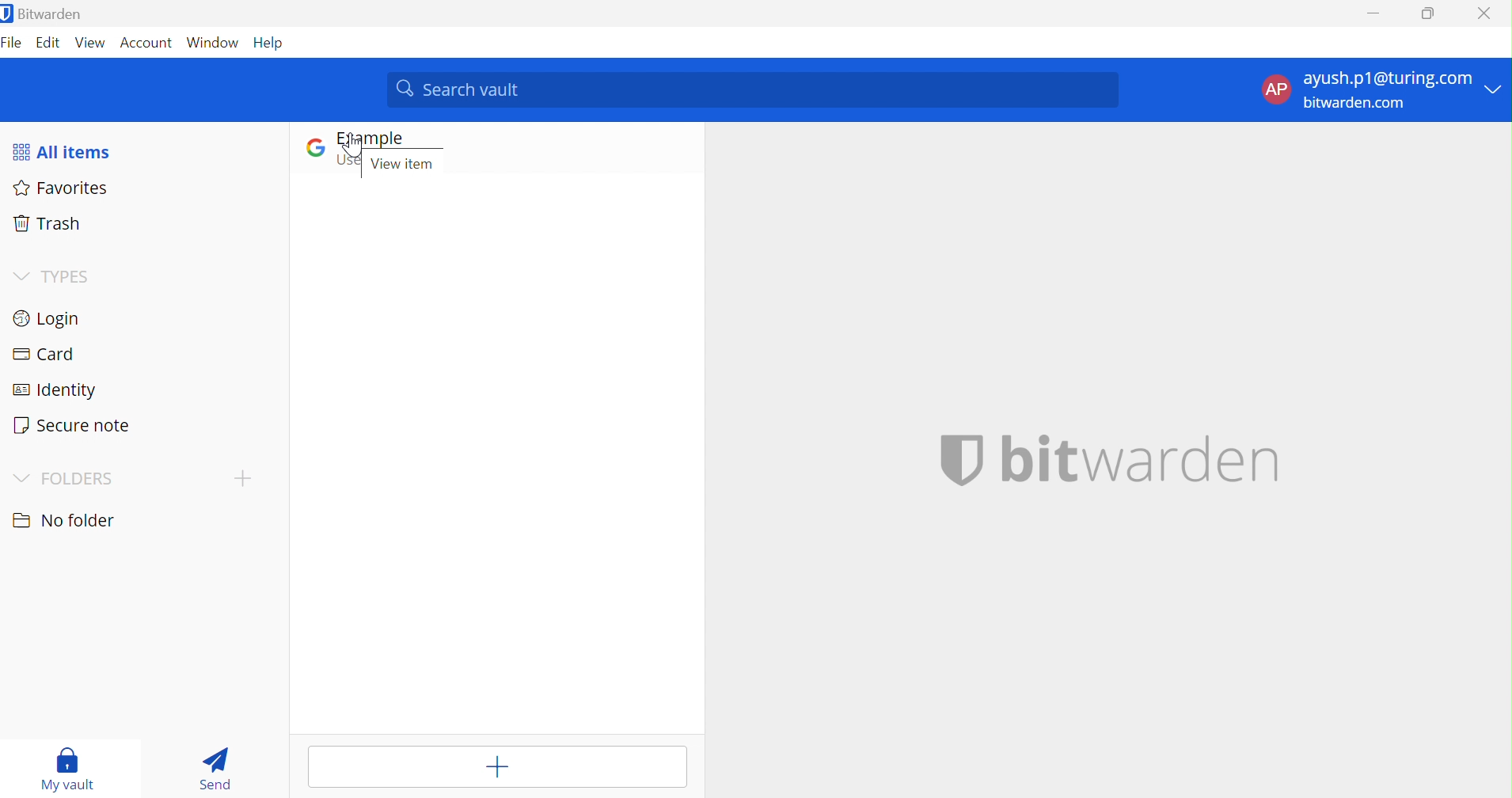  Describe the element at coordinates (246, 481) in the screenshot. I see `CREATE FOLDER` at that location.